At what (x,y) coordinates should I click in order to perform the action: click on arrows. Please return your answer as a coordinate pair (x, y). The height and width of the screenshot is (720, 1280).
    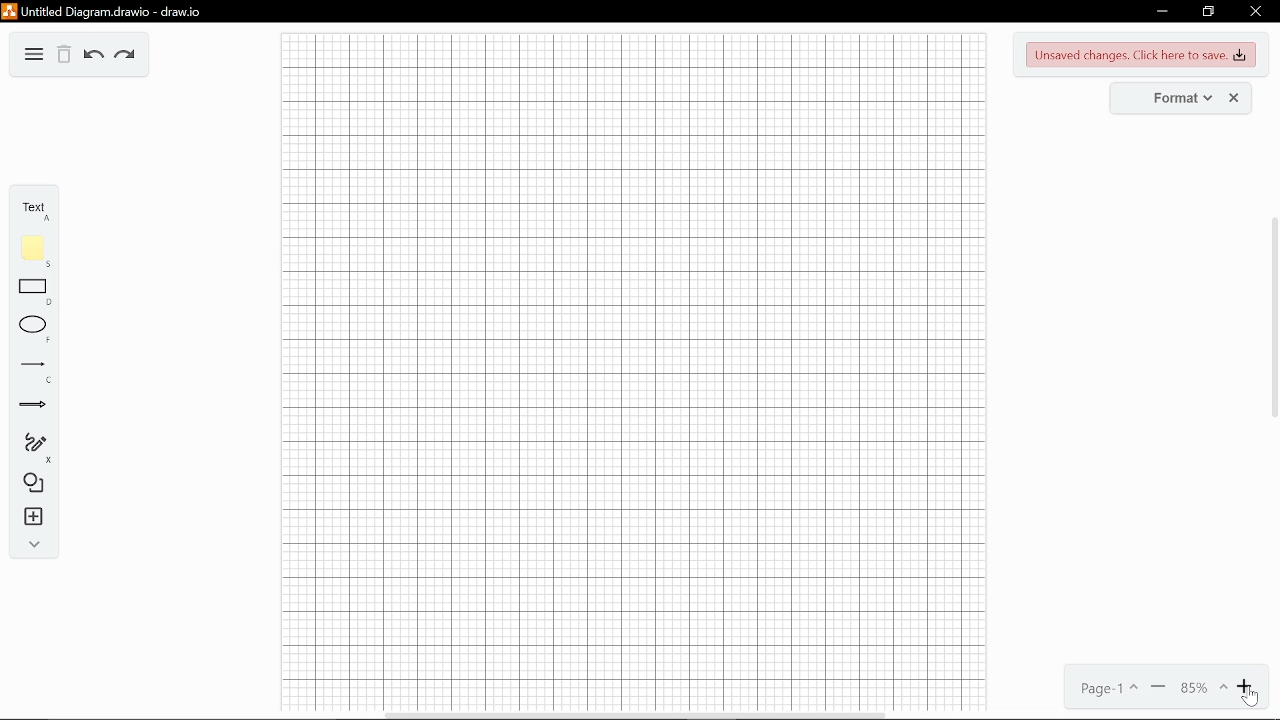
    Looking at the image, I should click on (28, 406).